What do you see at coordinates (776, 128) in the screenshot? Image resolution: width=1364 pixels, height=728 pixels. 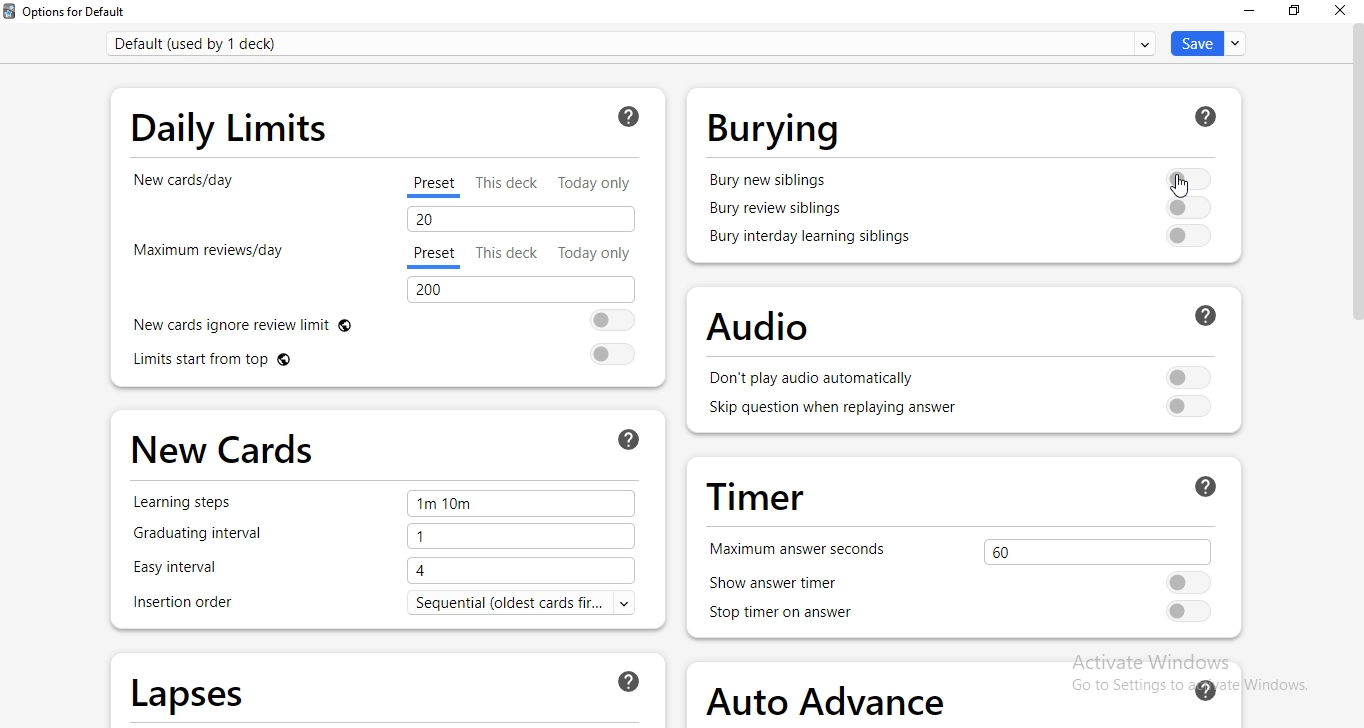 I see `burying` at bounding box center [776, 128].